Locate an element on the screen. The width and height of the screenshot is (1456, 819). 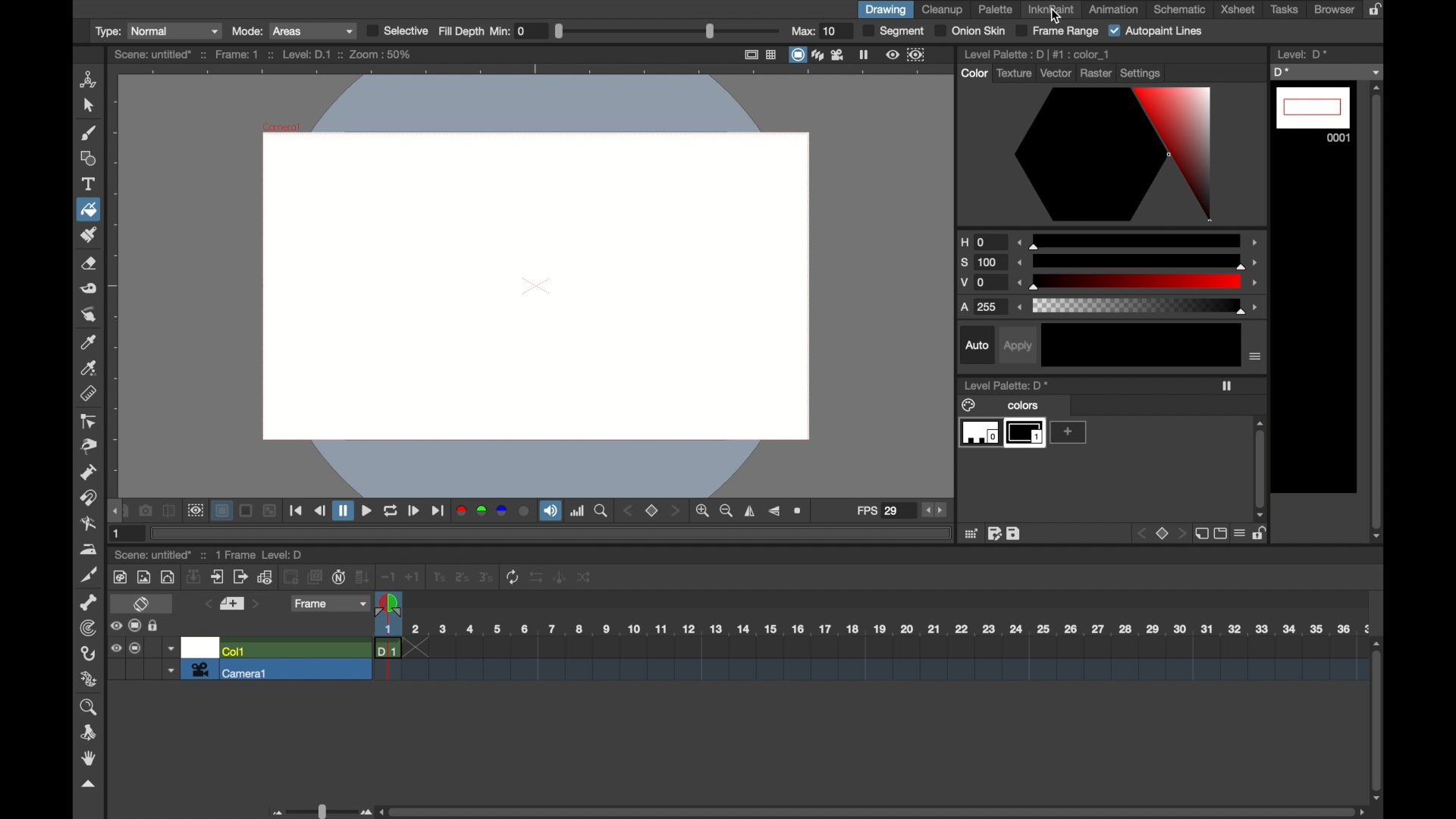
max is located at coordinates (814, 31).